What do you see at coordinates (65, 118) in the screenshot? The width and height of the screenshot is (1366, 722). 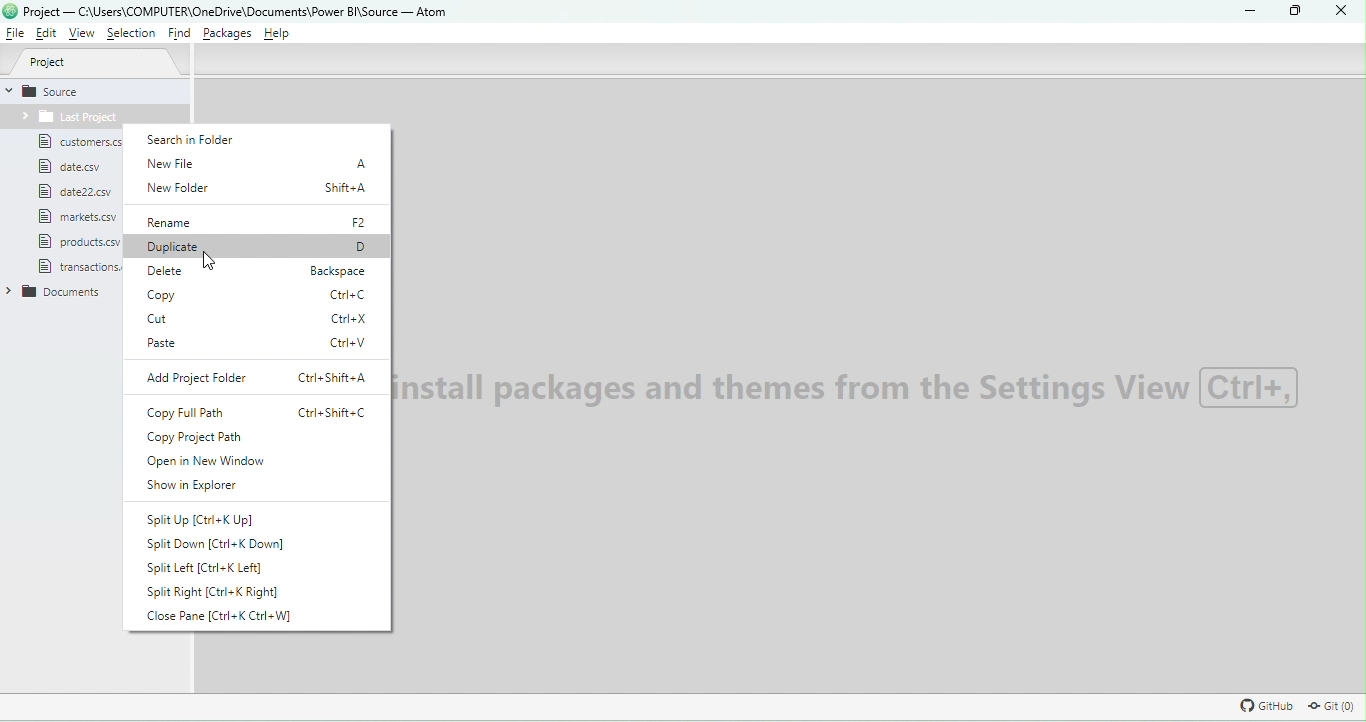 I see `Folder` at bounding box center [65, 118].